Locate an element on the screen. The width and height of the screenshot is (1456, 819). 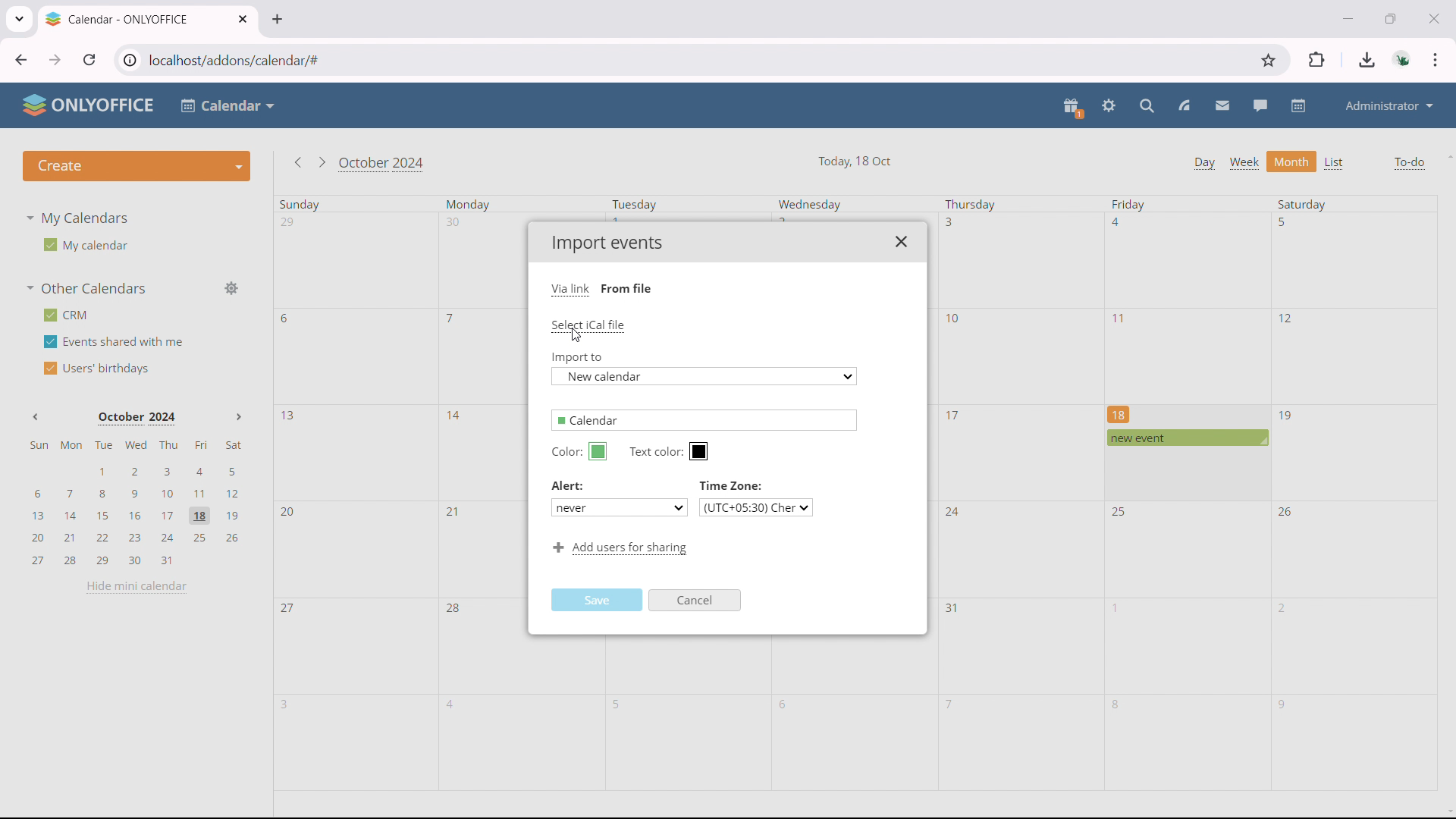
7 is located at coordinates (452, 319).